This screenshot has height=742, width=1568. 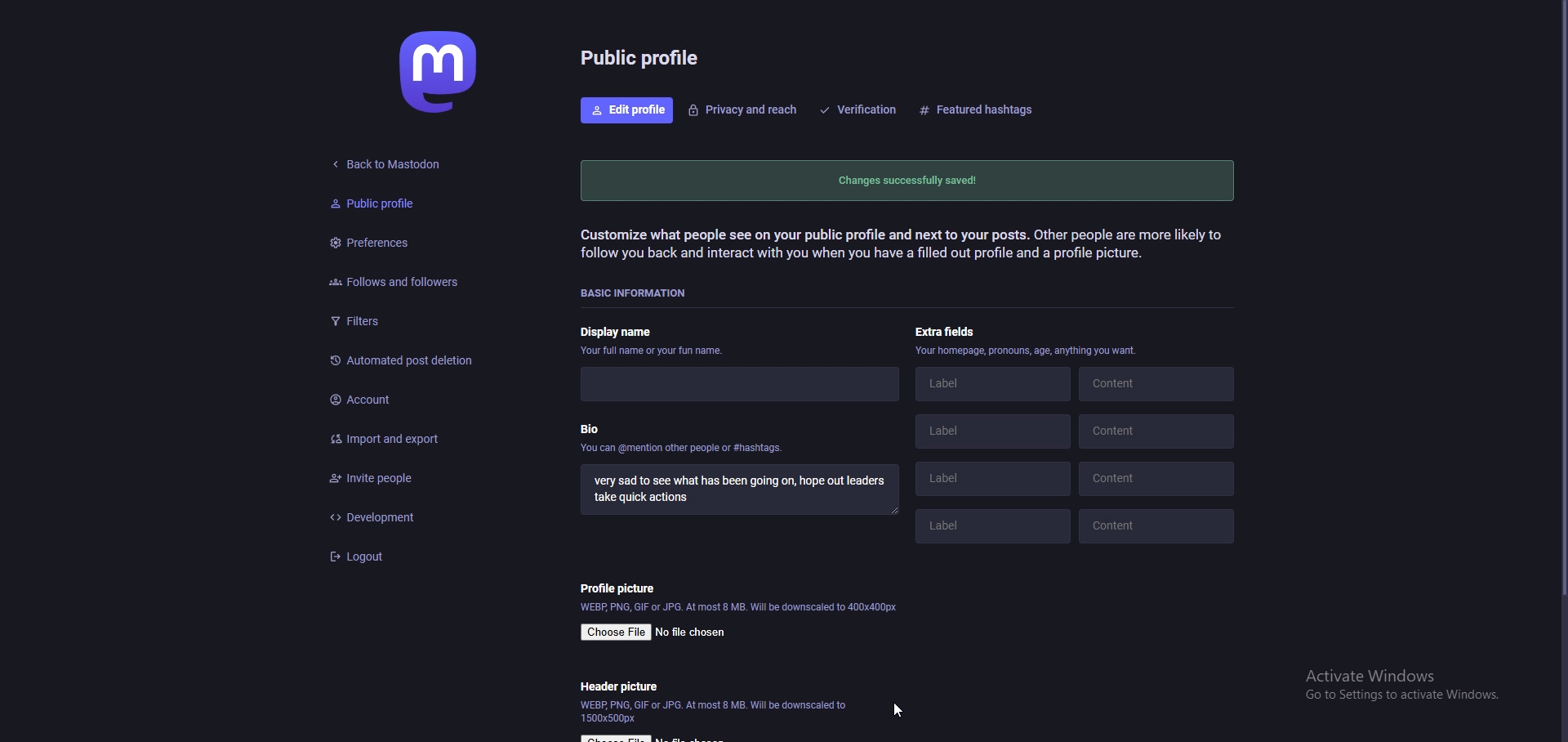 What do you see at coordinates (413, 362) in the screenshot?
I see `automated post deletion` at bounding box center [413, 362].